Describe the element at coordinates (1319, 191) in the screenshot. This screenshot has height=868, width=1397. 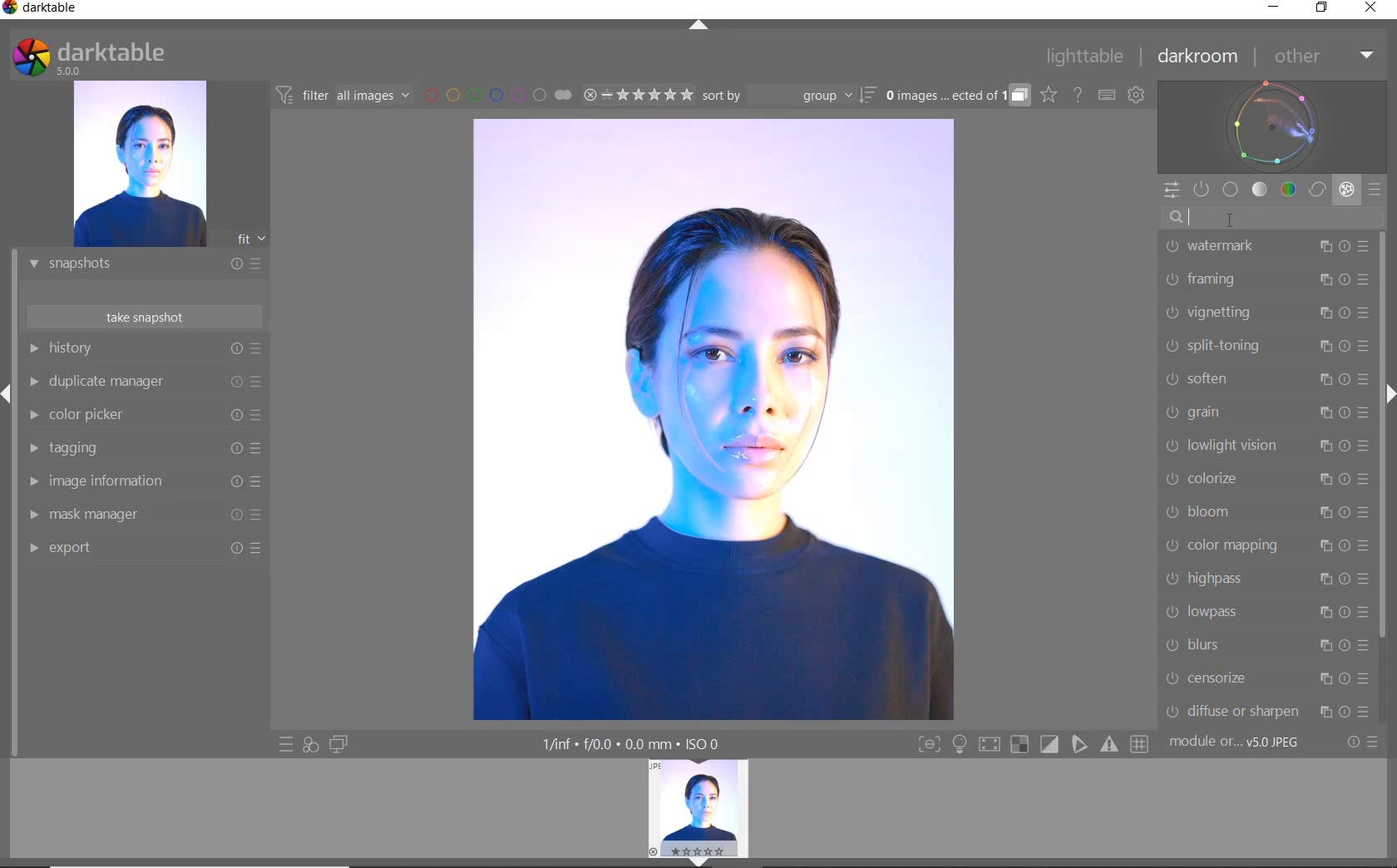
I see `CORRECT` at that location.